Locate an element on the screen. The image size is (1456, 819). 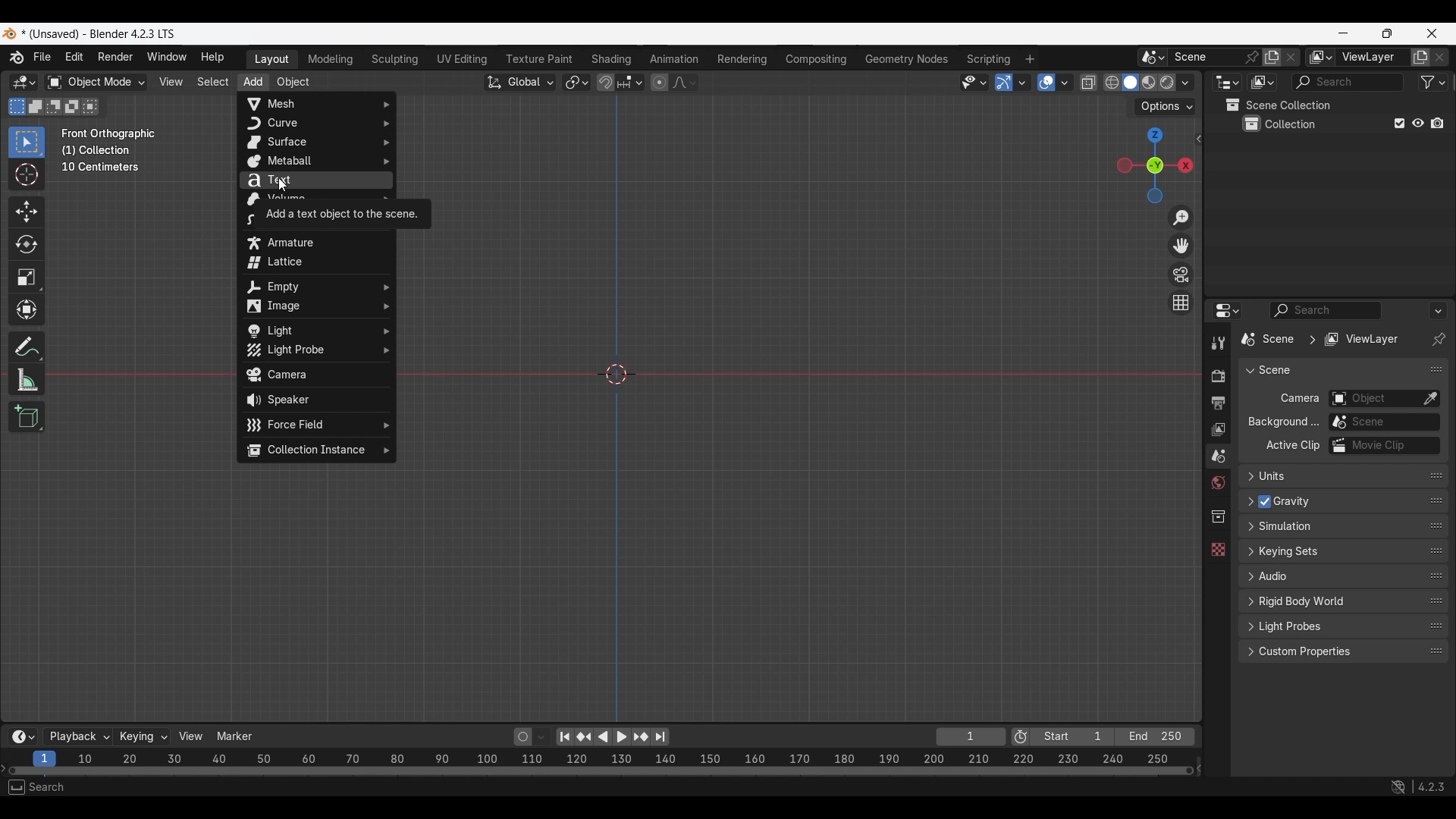
Armature is located at coordinates (317, 243).